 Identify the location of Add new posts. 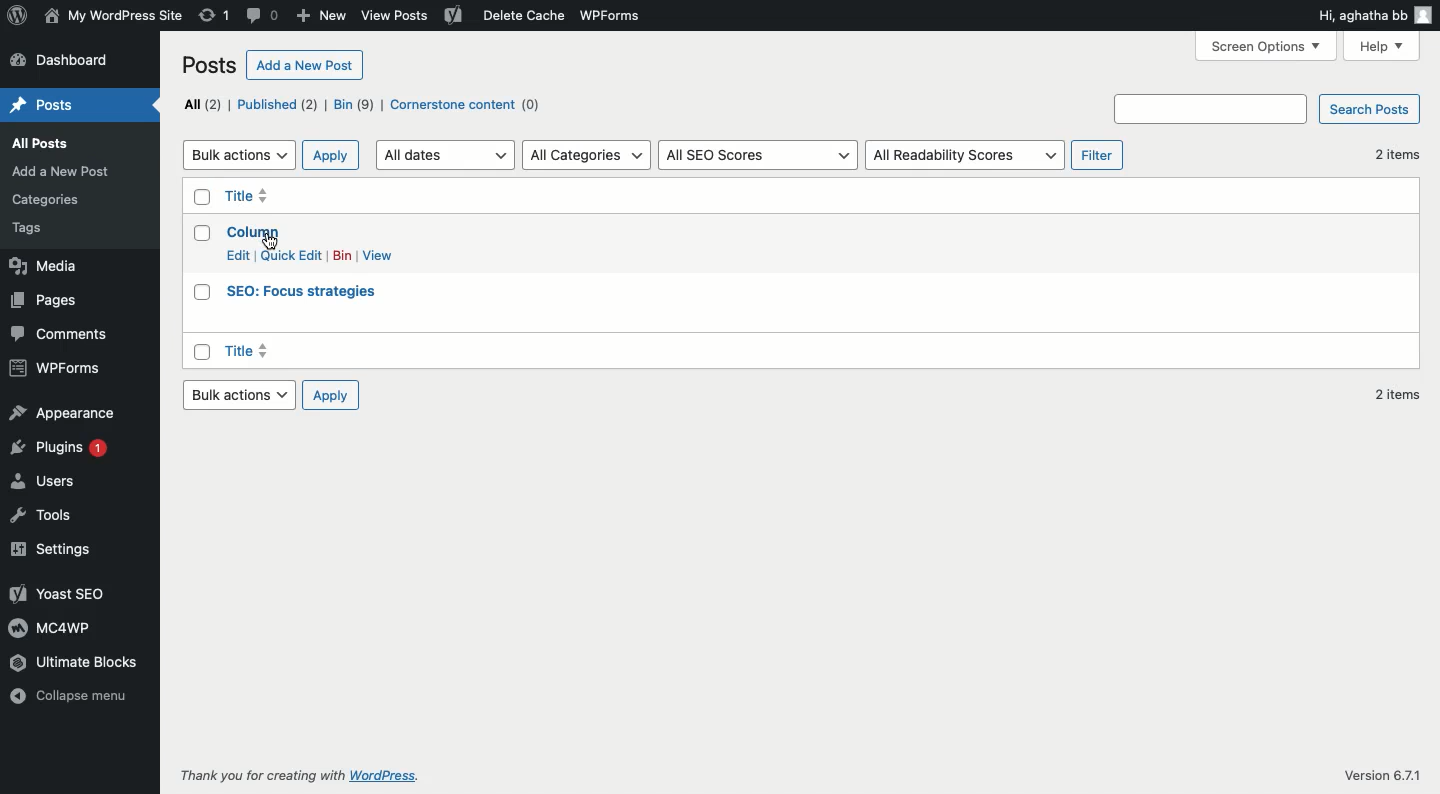
(60, 171).